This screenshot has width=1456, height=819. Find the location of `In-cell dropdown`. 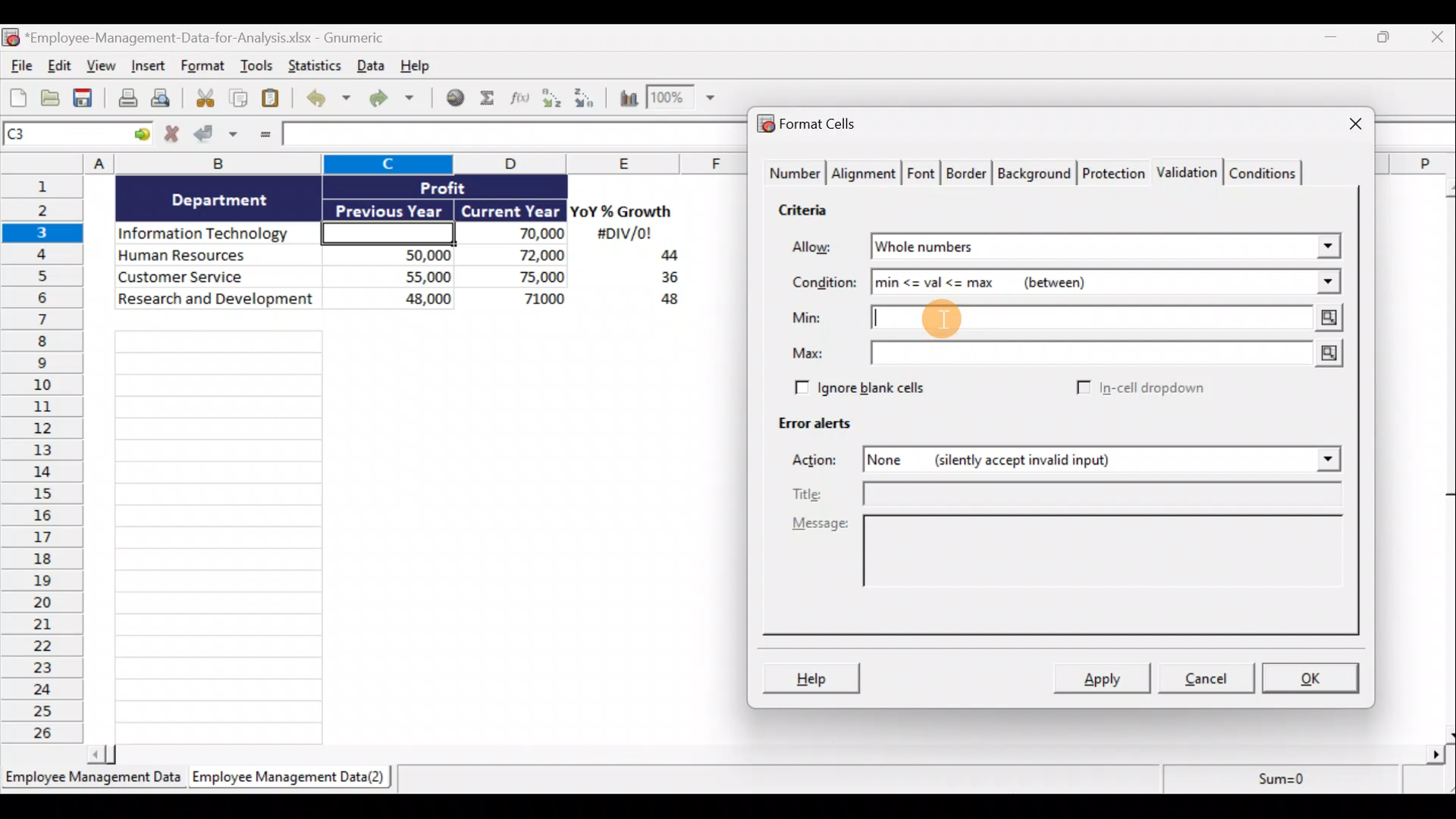

In-cell dropdown is located at coordinates (1139, 389).